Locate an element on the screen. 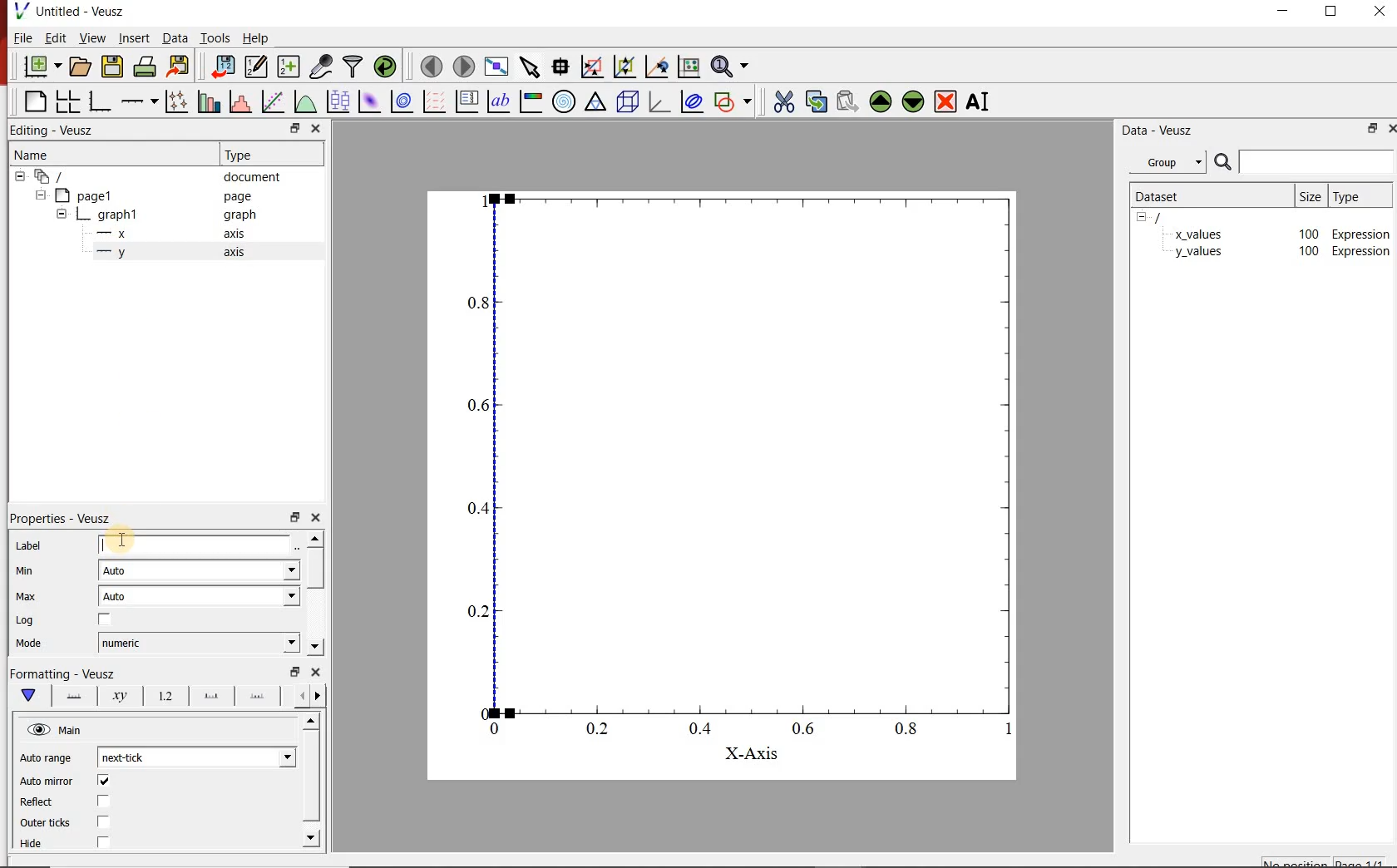 This screenshot has height=868, width=1397. y_values is located at coordinates (1198, 253).